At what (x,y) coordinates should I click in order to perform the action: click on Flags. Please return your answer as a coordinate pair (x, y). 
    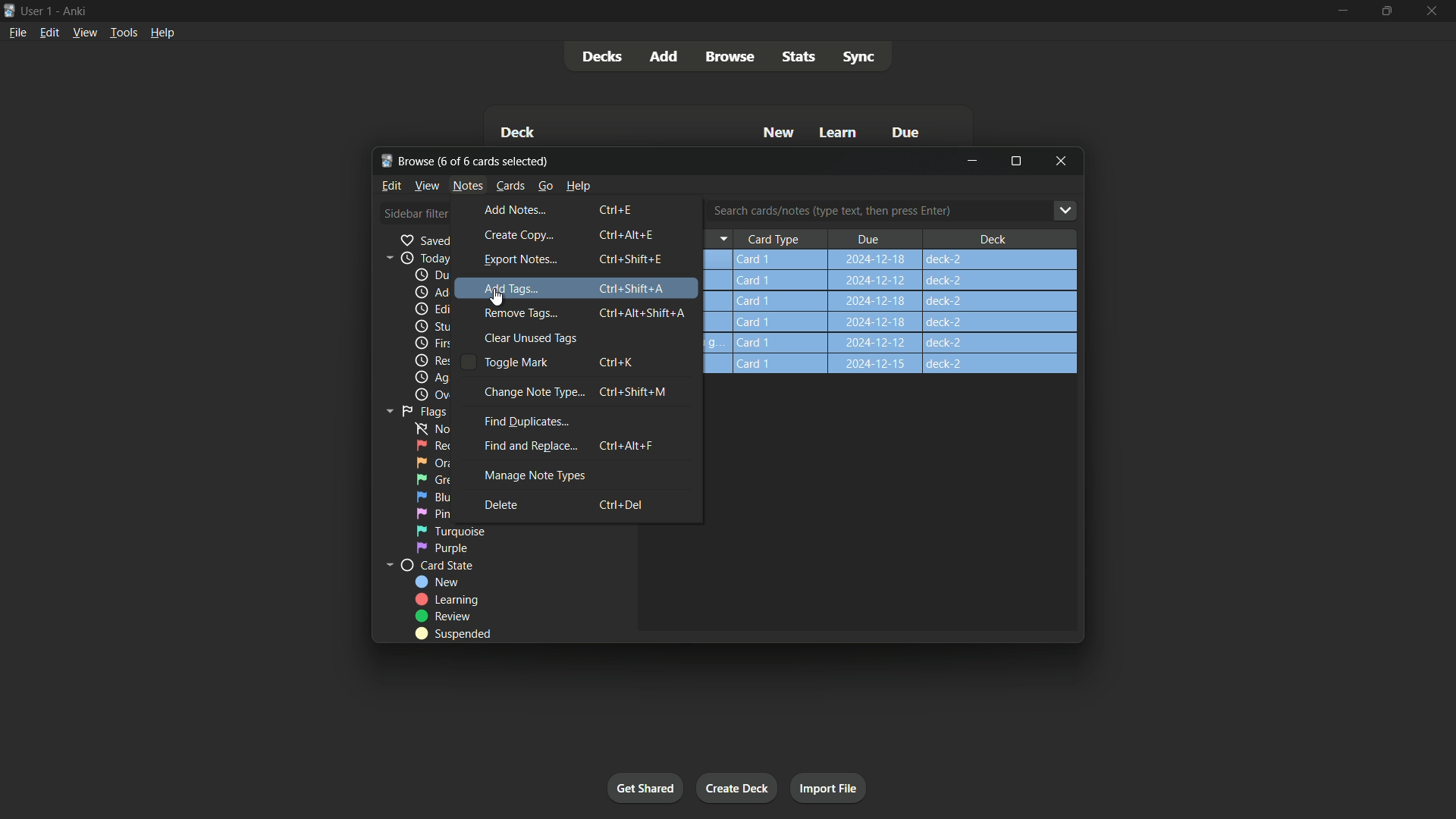
    Looking at the image, I should click on (413, 410).